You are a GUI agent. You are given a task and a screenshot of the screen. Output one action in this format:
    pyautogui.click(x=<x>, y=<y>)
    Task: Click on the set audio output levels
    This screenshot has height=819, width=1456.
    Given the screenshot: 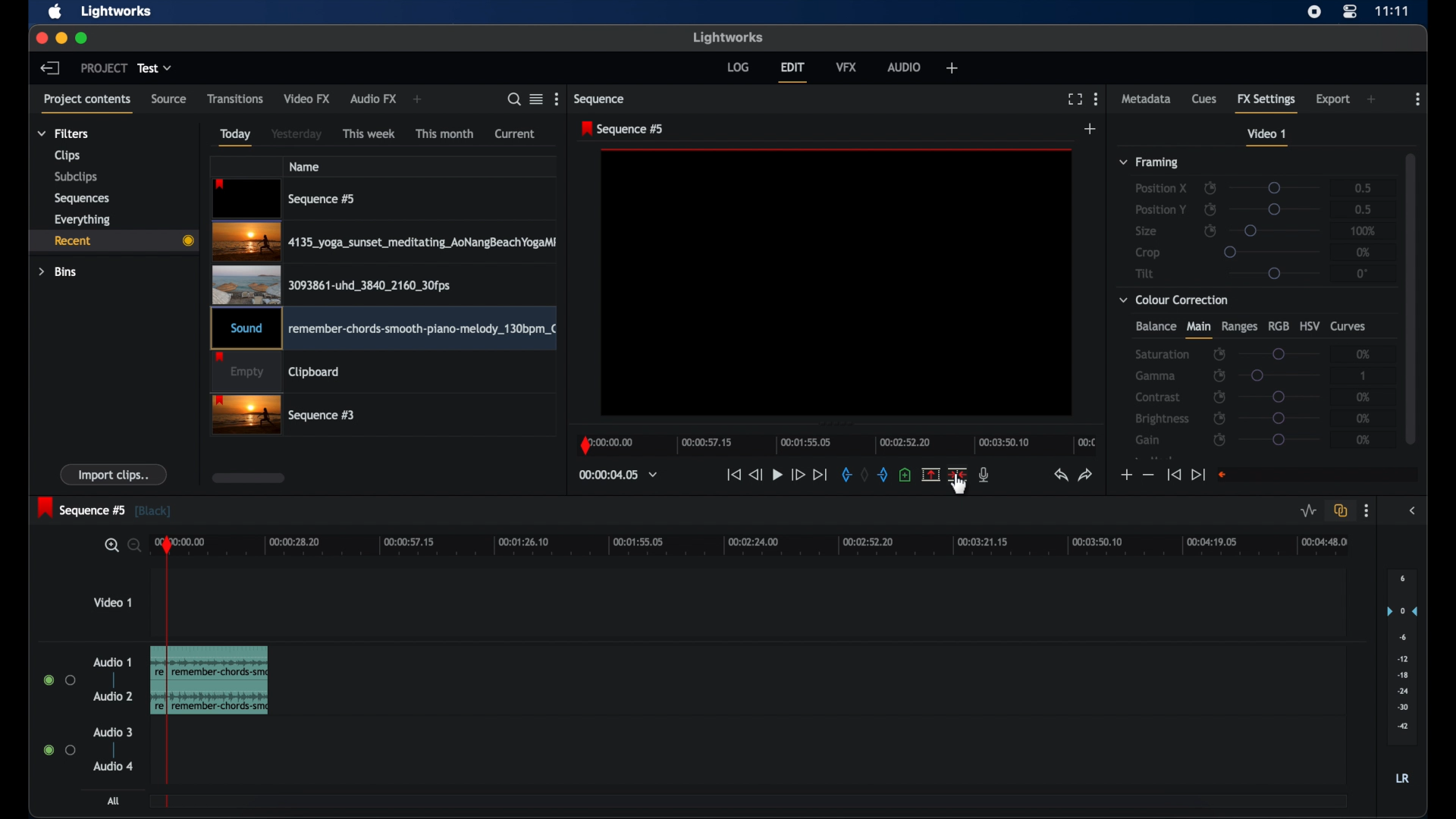 What is the action you would take?
    pyautogui.click(x=1401, y=656)
    